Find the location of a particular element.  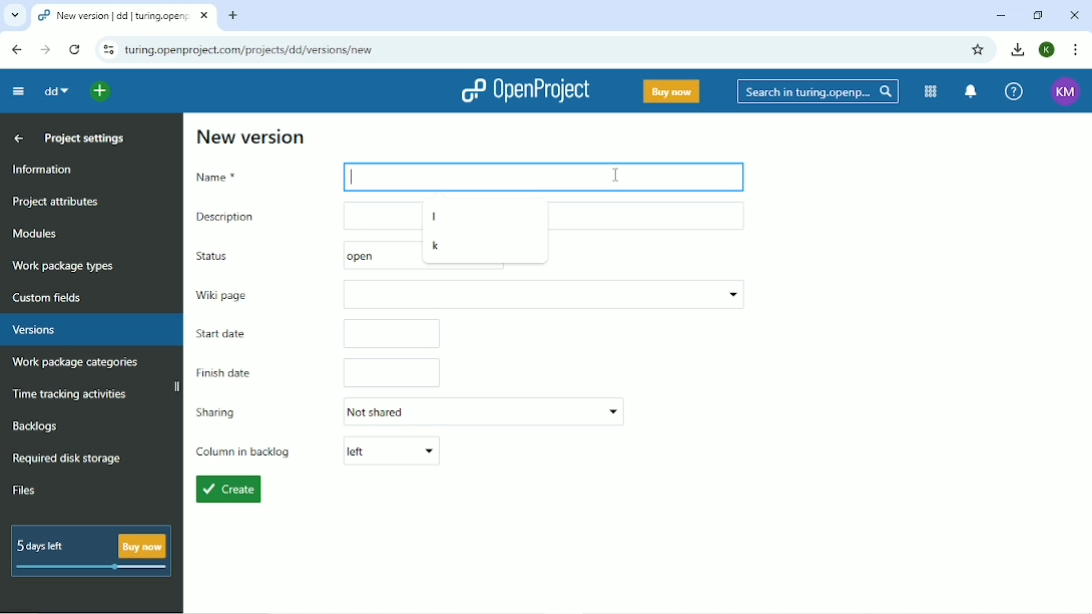

Account is located at coordinates (1066, 92).